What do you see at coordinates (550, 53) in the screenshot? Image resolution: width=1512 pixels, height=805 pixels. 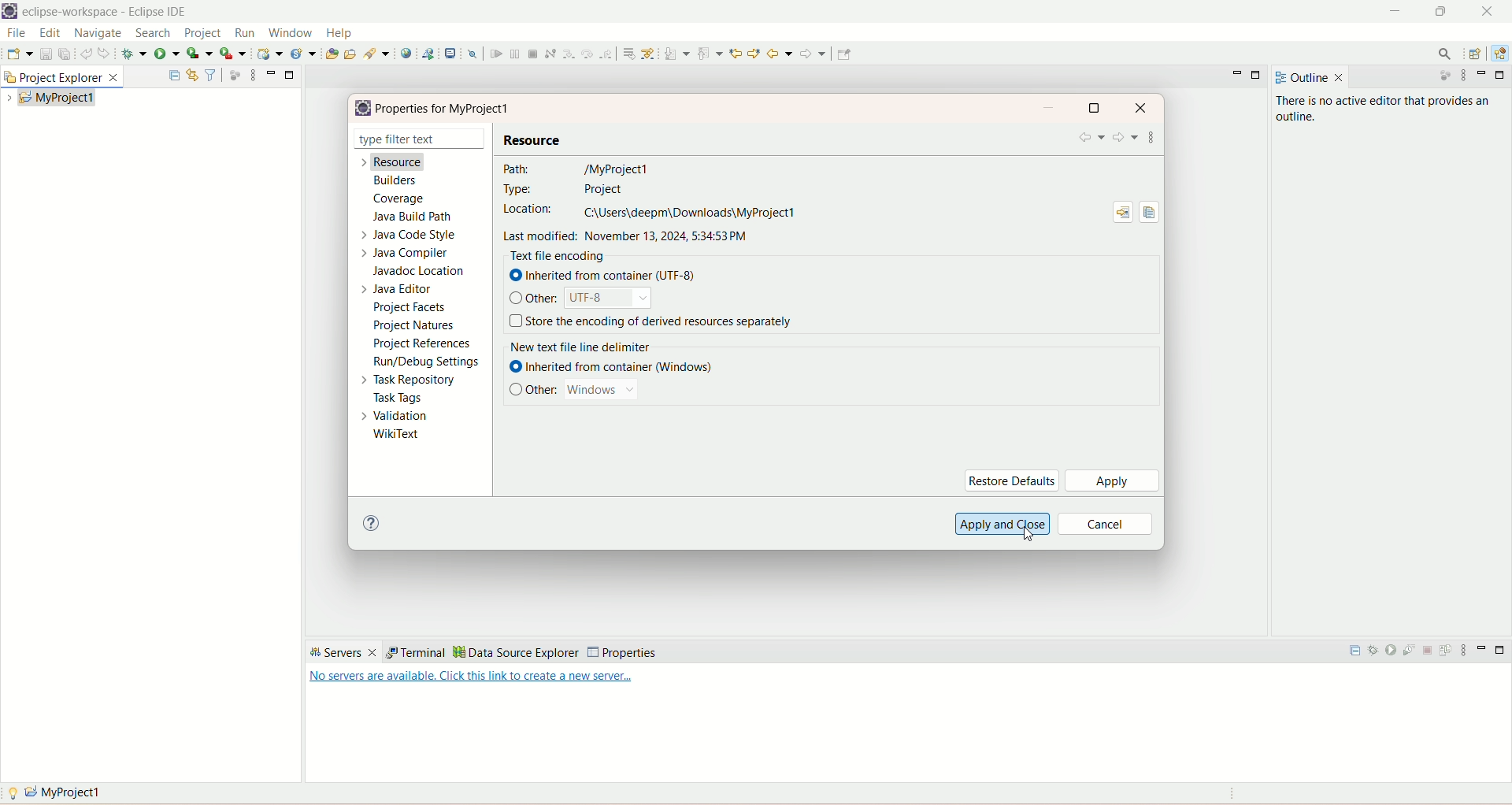 I see `disconnect` at bounding box center [550, 53].